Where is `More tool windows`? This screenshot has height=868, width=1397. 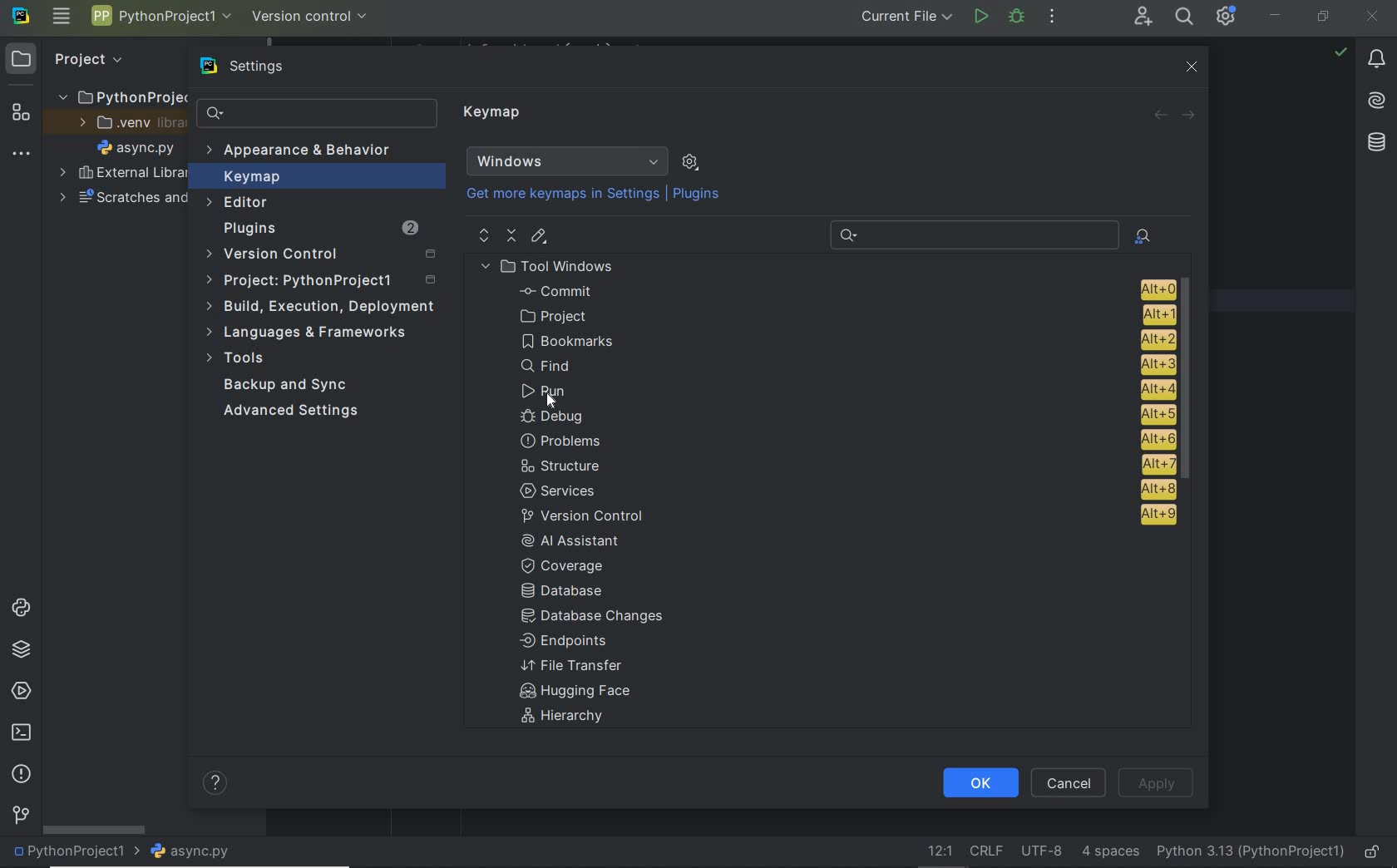 More tool windows is located at coordinates (22, 150).